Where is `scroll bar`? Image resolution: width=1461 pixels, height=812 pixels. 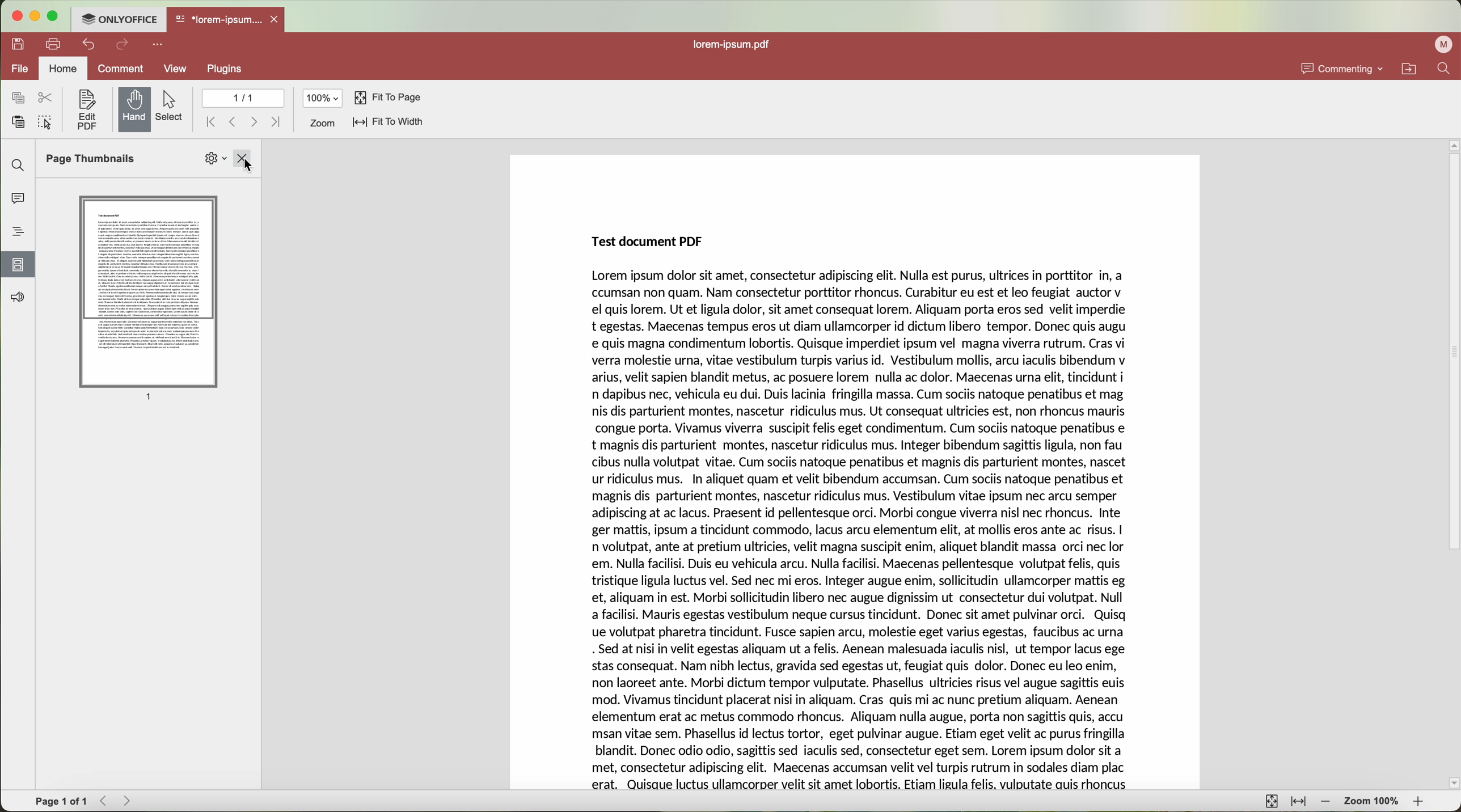
scroll bar is located at coordinates (1452, 463).